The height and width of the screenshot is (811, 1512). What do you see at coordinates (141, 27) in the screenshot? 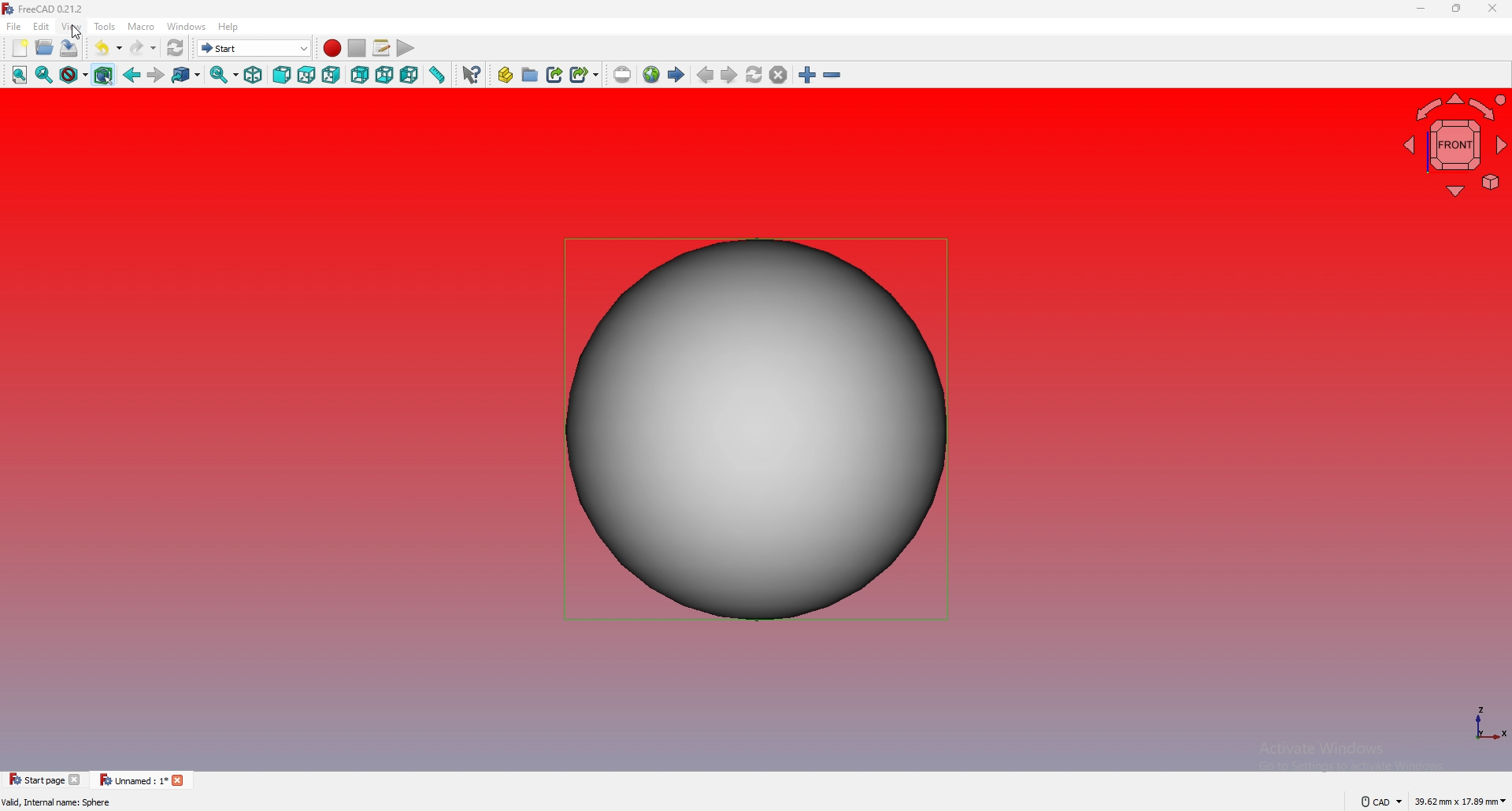
I see `macro` at bounding box center [141, 27].